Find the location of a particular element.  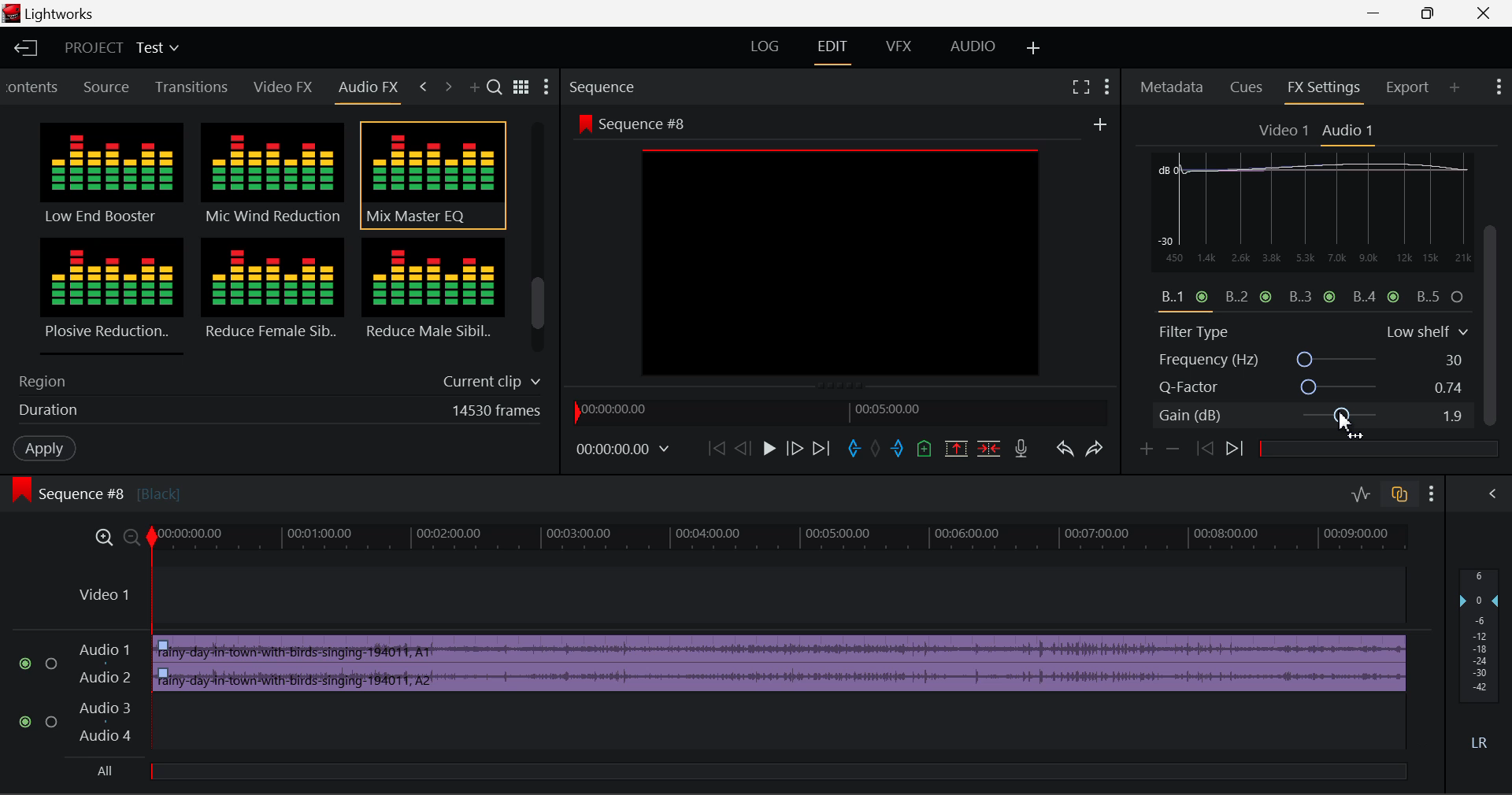

Next keyframe is located at coordinates (1238, 449).